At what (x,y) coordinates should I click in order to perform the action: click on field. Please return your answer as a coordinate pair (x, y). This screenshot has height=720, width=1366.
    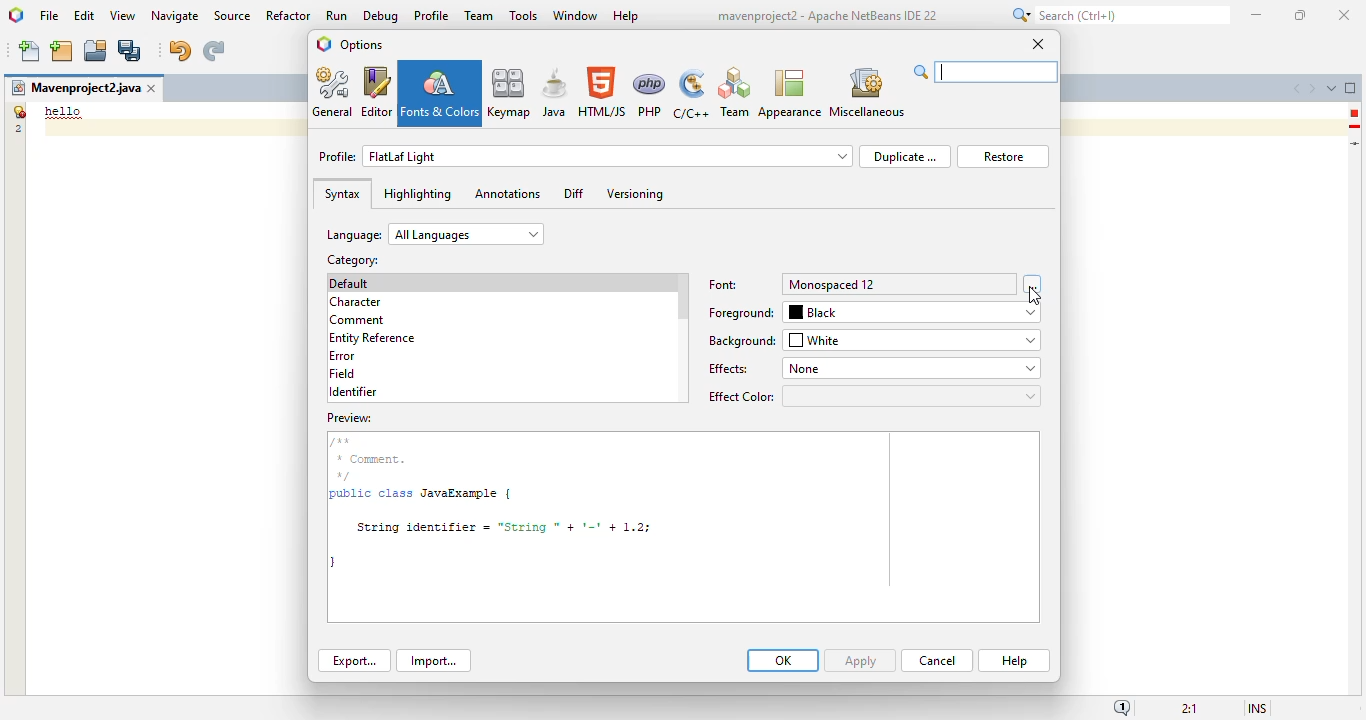
    Looking at the image, I should click on (342, 373).